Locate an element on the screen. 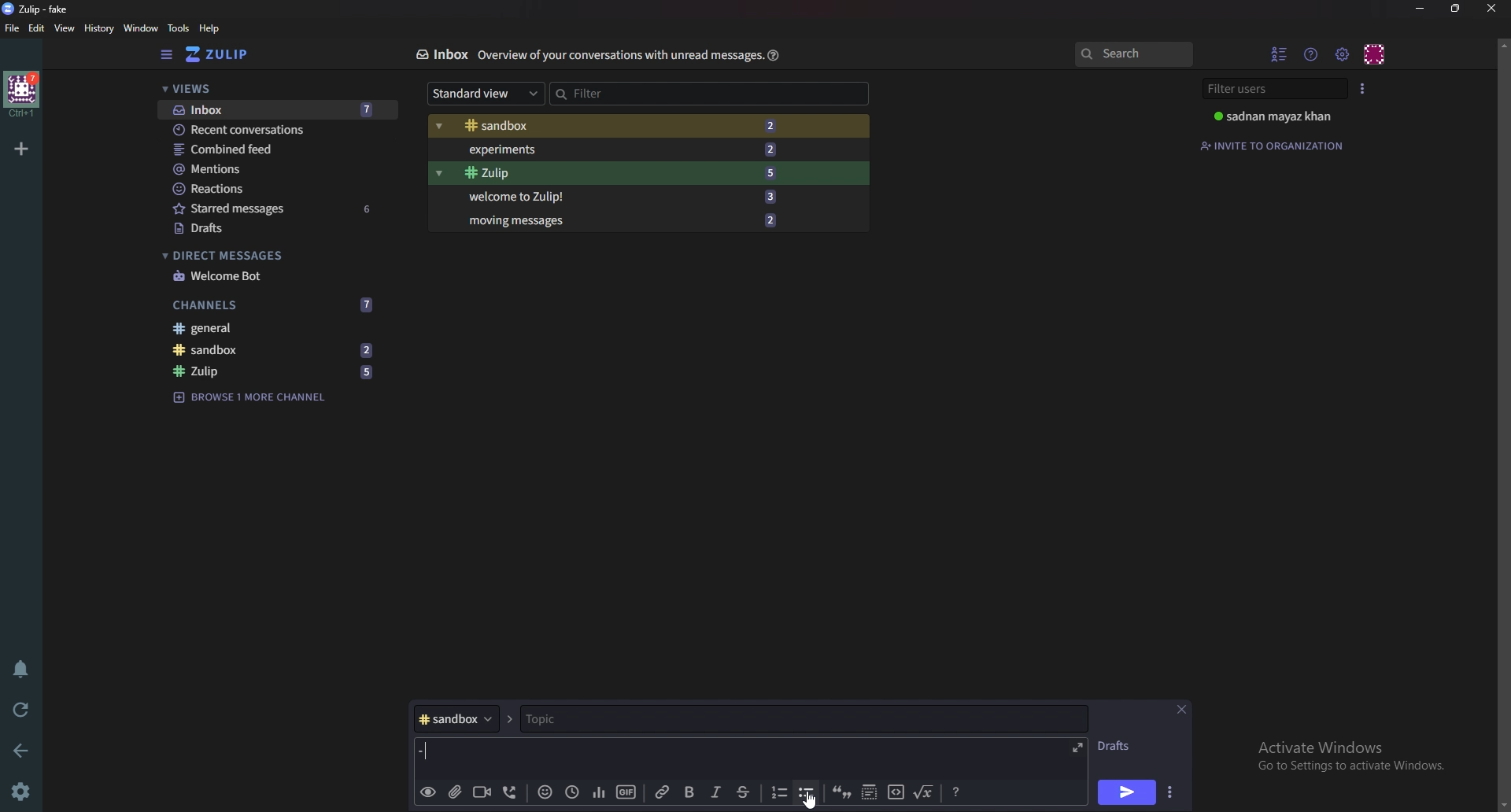 The width and height of the screenshot is (1511, 812). Voice call is located at coordinates (513, 792).